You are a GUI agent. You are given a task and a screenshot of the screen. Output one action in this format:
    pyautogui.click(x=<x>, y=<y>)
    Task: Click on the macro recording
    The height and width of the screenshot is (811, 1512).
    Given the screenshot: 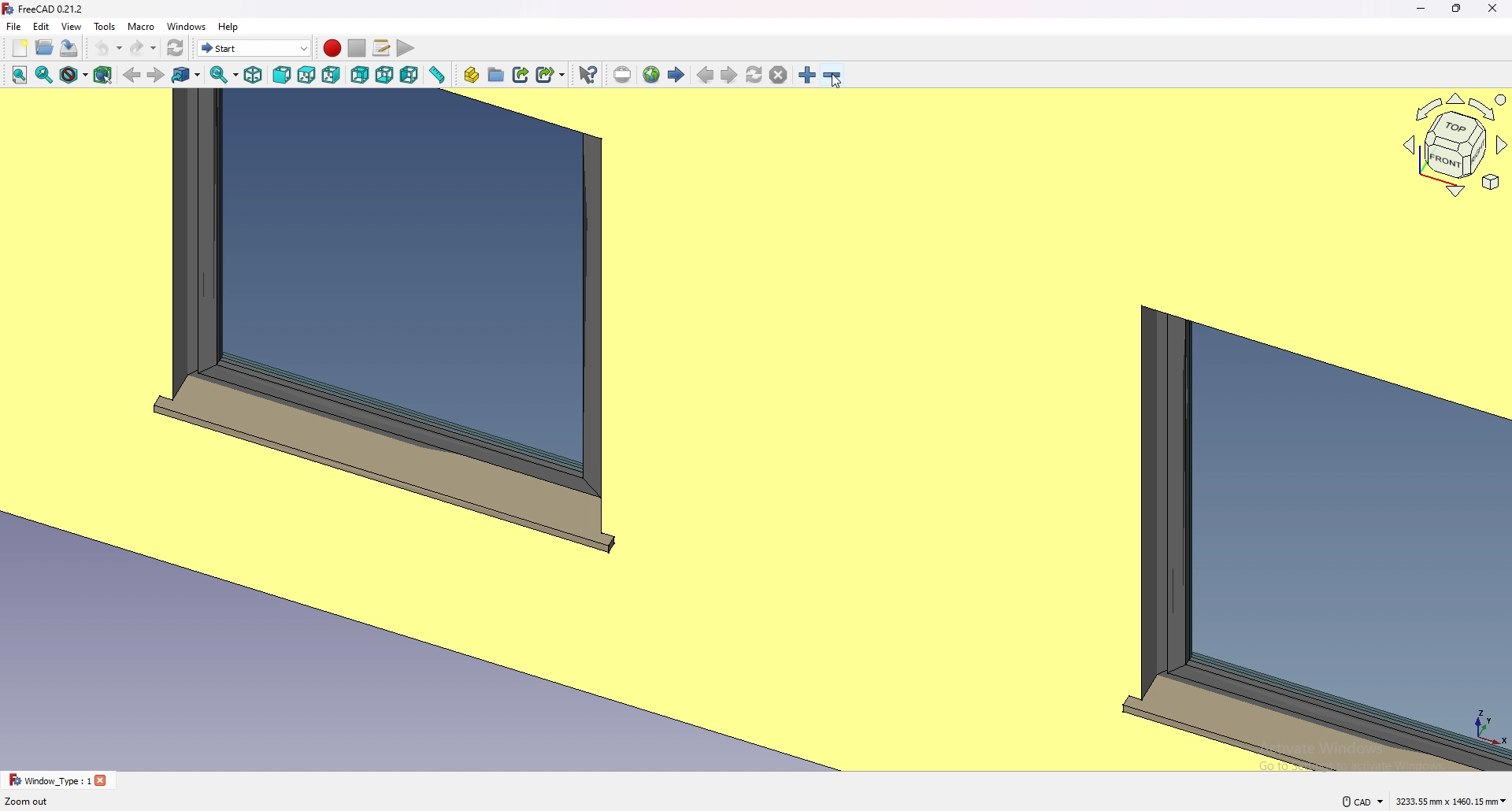 What is the action you would take?
    pyautogui.click(x=332, y=48)
    